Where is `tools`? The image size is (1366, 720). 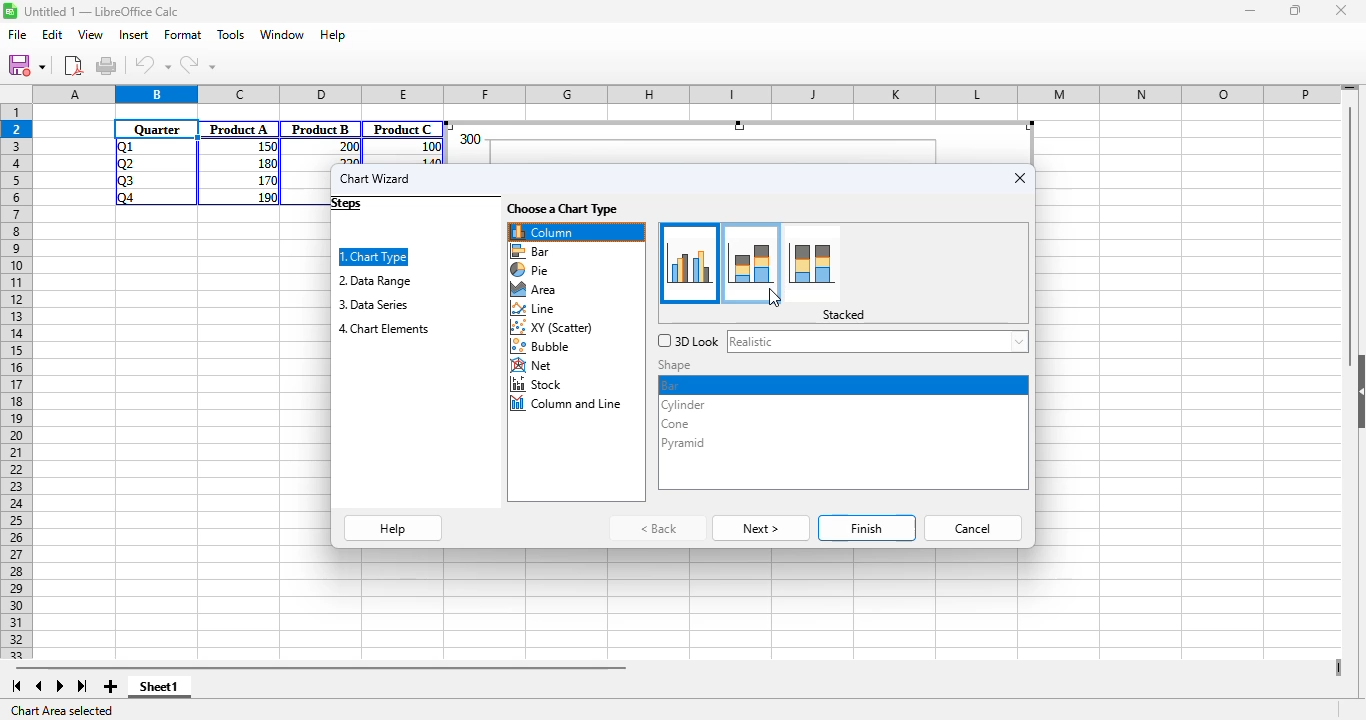
tools is located at coordinates (231, 34).